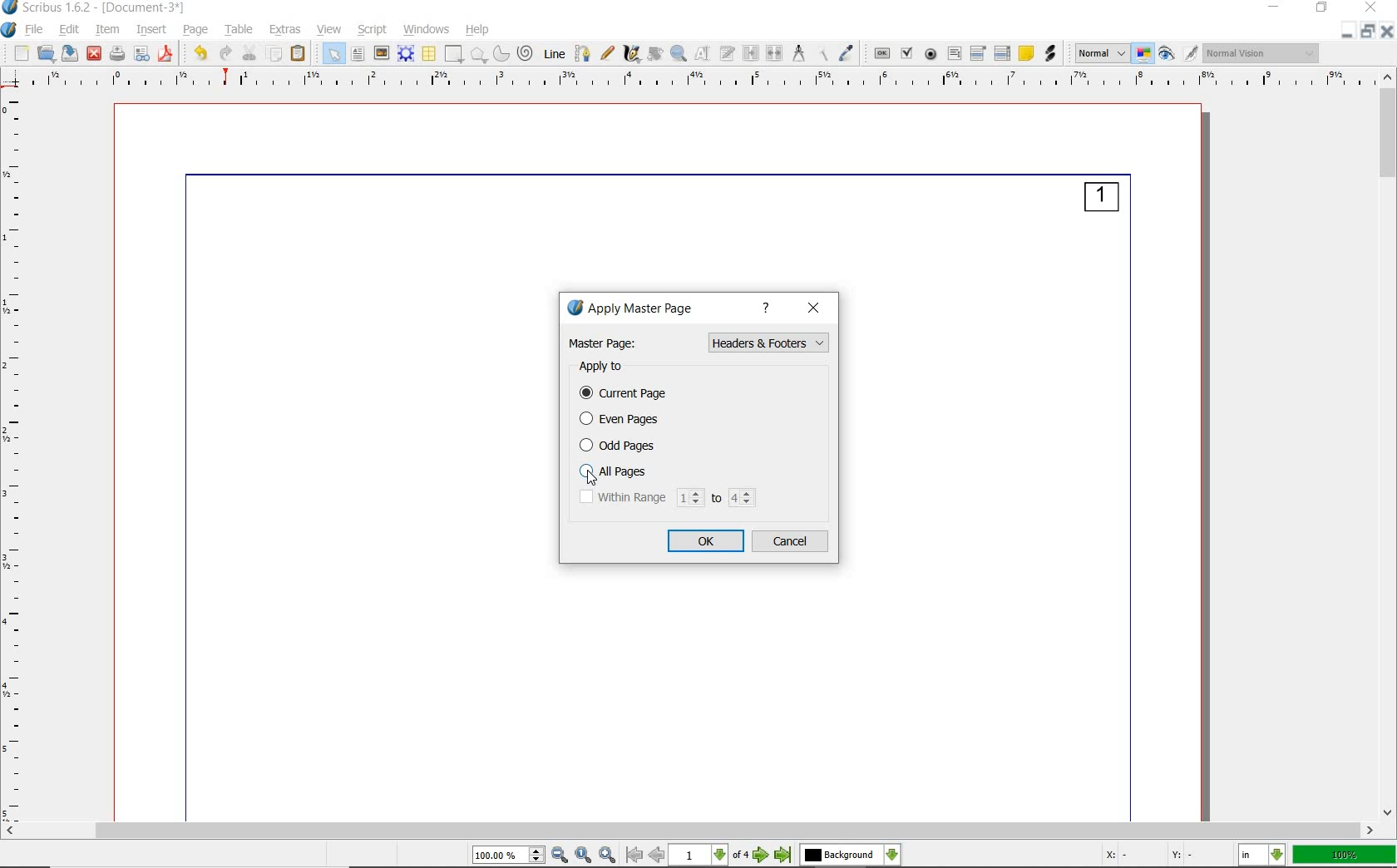 This screenshot has height=868, width=1397. I want to click on X: - Y: -, so click(1148, 856).